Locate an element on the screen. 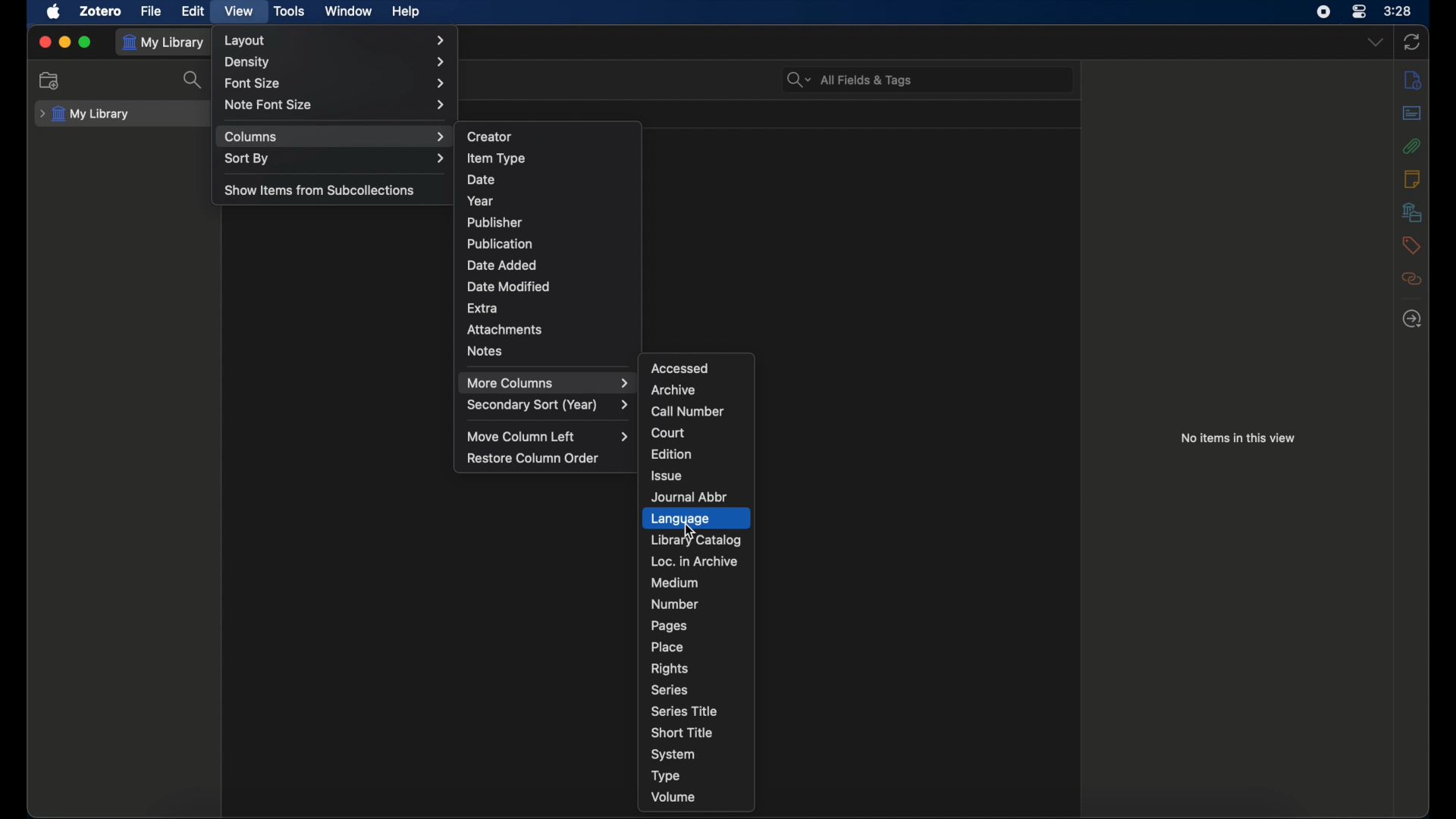 The width and height of the screenshot is (1456, 819). library  catalog is located at coordinates (696, 539).